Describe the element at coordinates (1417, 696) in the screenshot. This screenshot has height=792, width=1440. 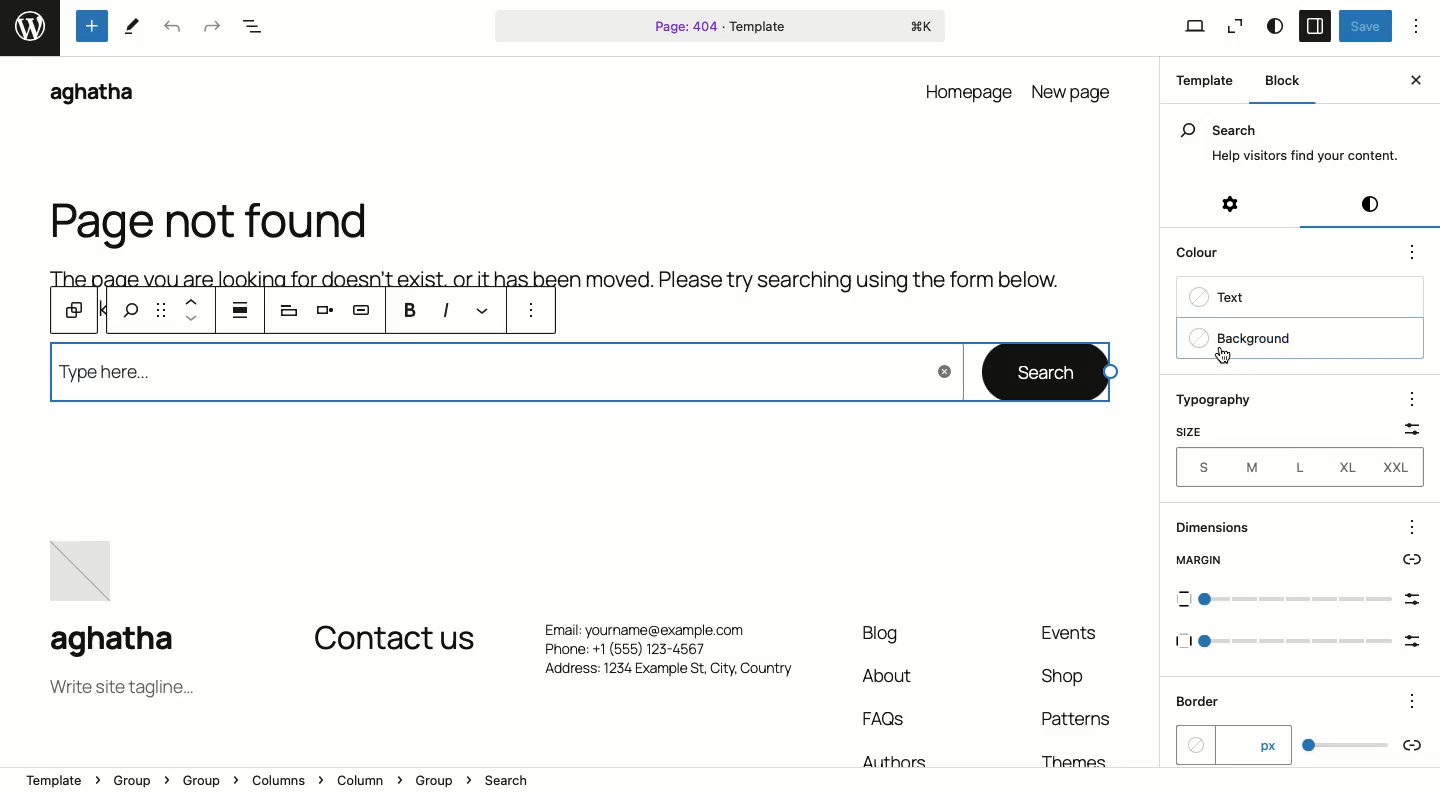
I see `` at that location.